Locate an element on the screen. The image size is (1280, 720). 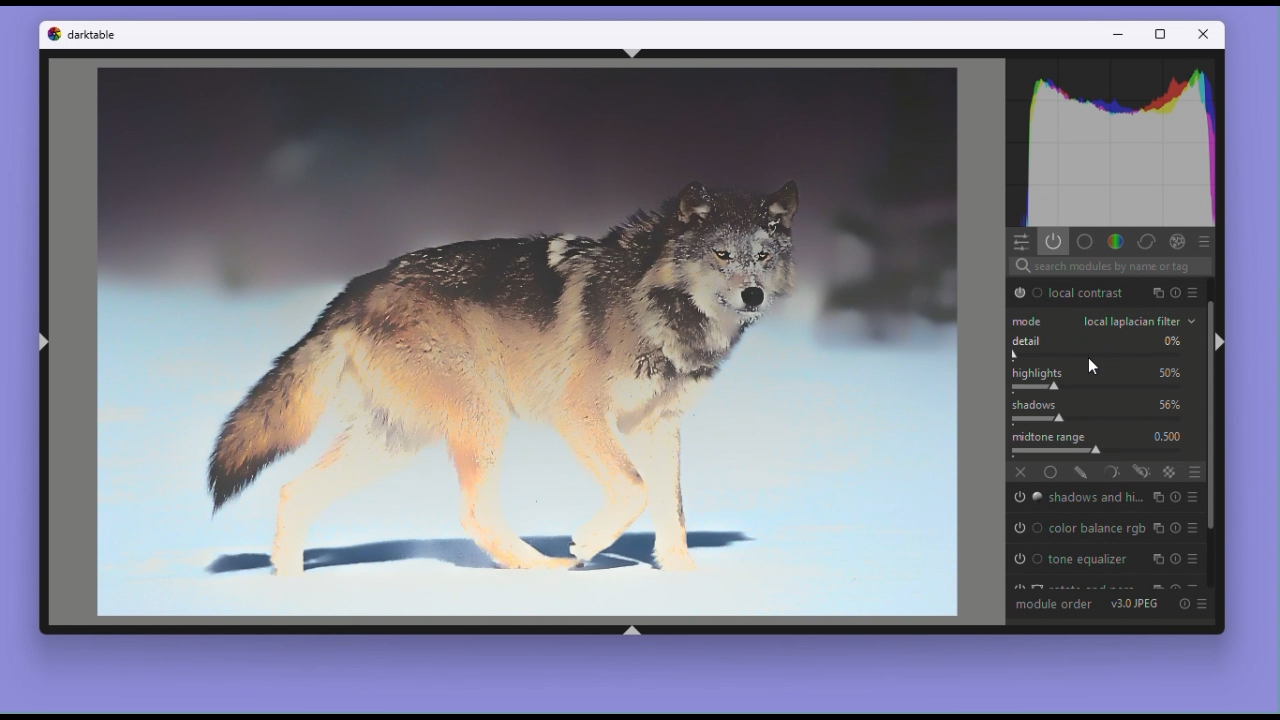
Uniformly is located at coordinates (1052, 473).